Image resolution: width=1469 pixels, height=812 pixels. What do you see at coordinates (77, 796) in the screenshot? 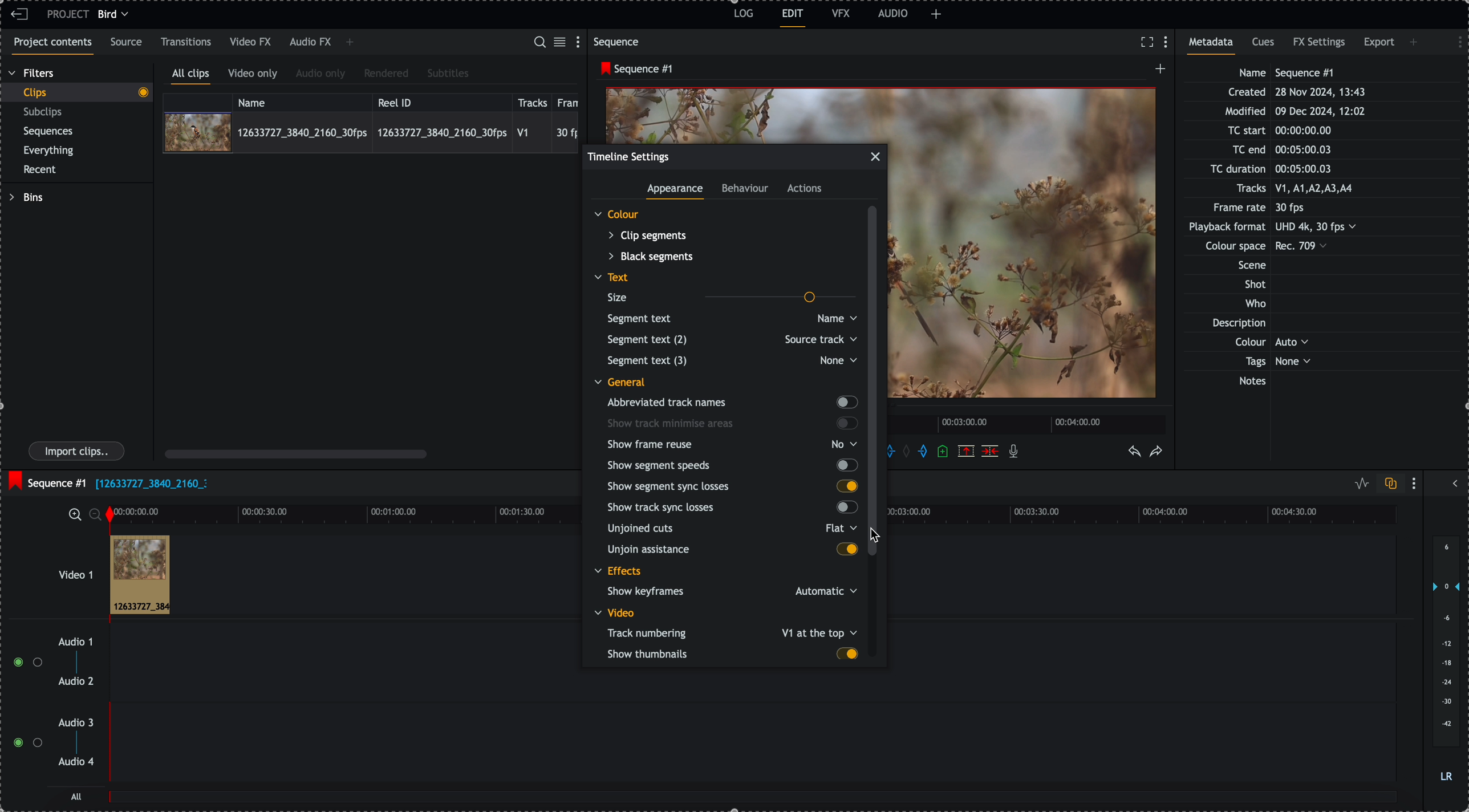
I see `all` at bounding box center [77, 796].